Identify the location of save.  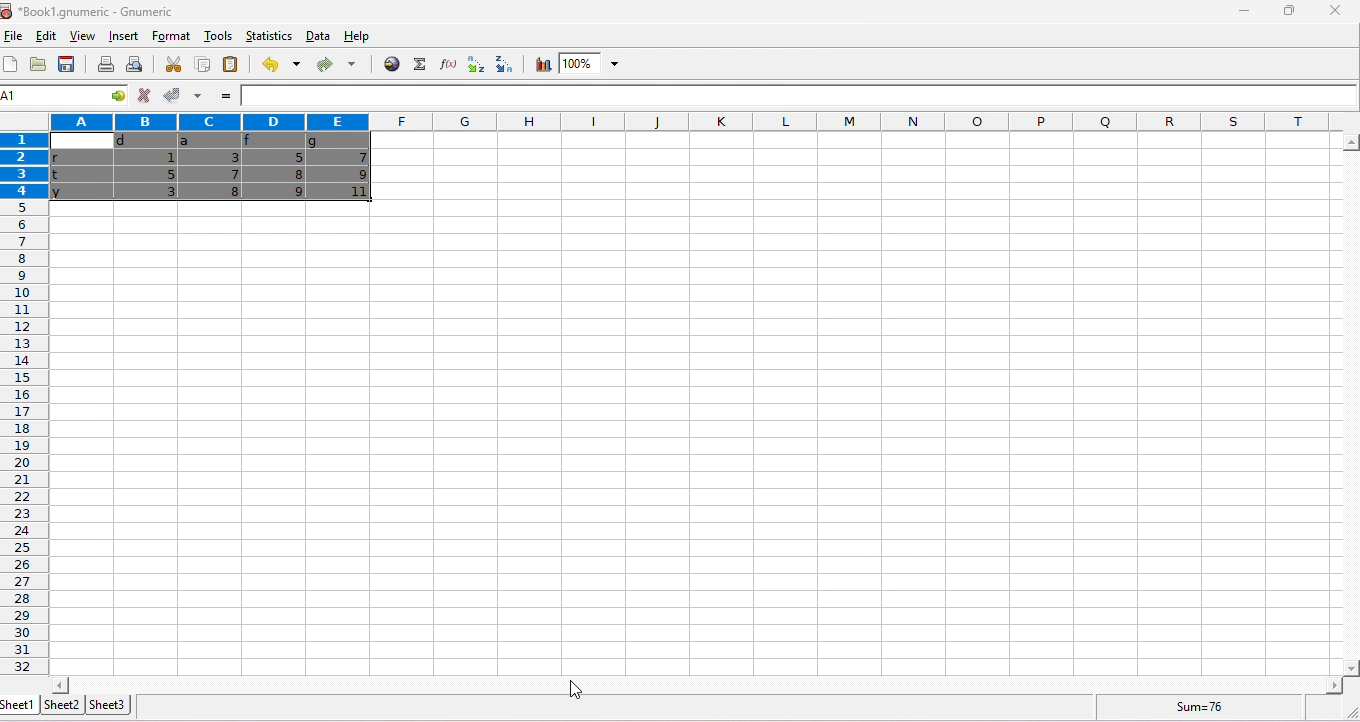
(69, 65).